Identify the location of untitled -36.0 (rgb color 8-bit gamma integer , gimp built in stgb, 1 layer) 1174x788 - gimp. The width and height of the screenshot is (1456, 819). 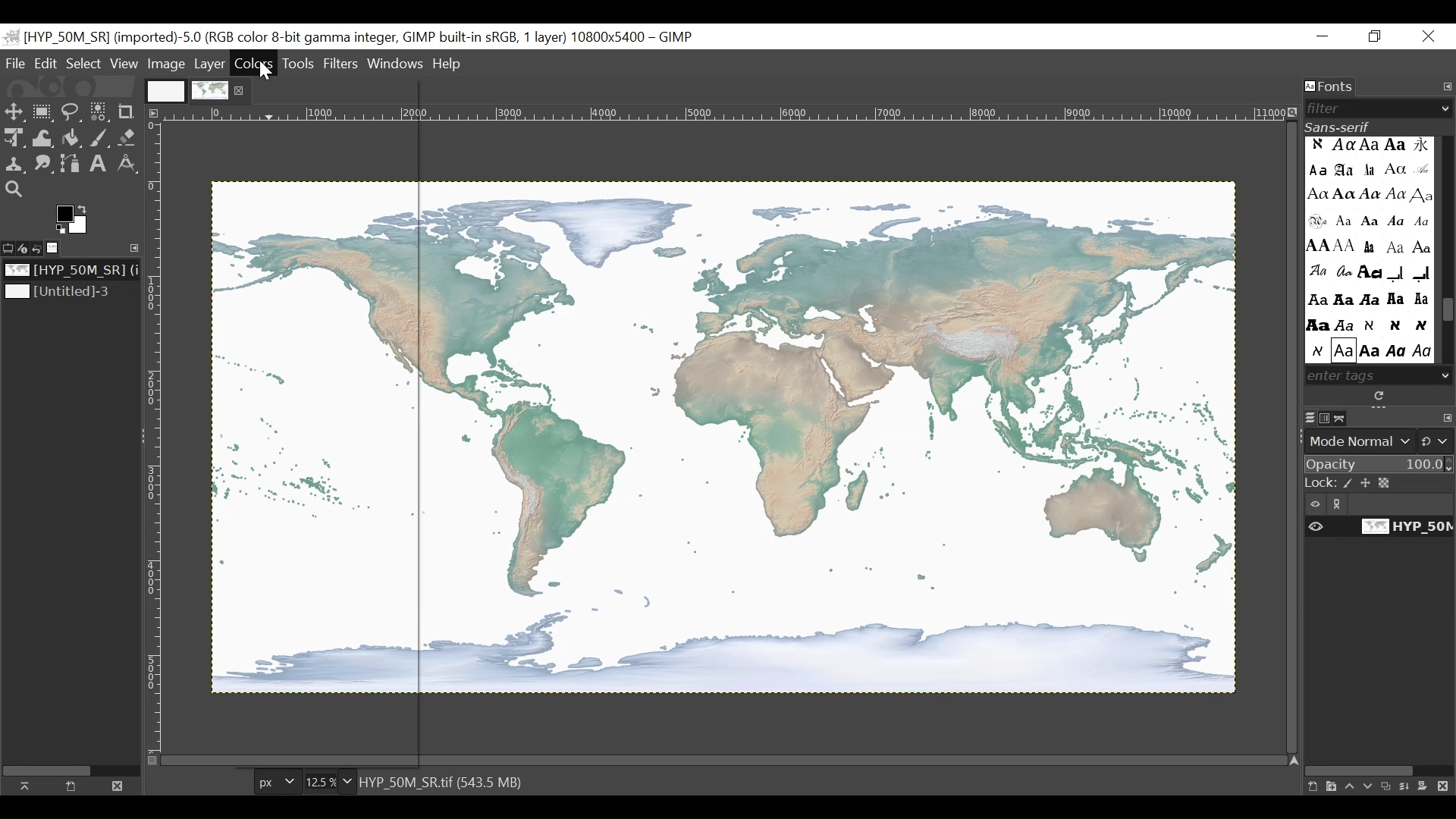
(350, 36).